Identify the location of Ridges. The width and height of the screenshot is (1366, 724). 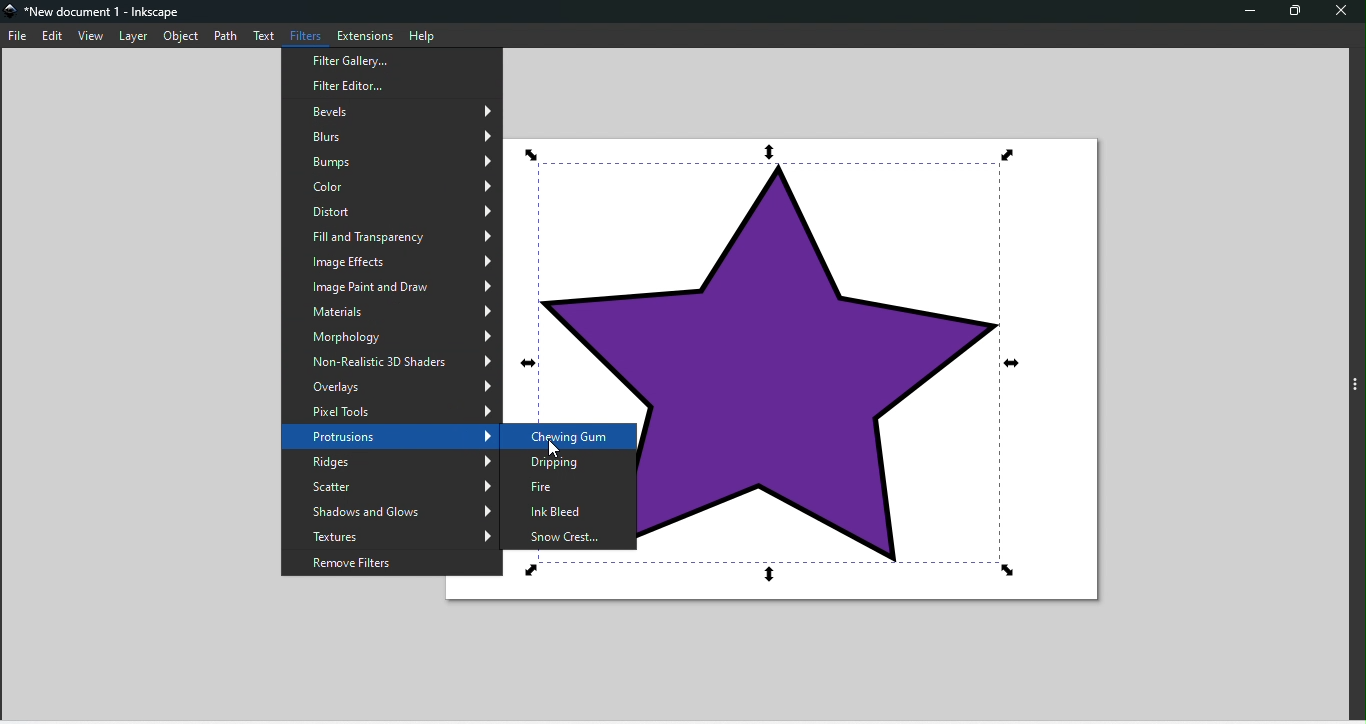
(394, 462).